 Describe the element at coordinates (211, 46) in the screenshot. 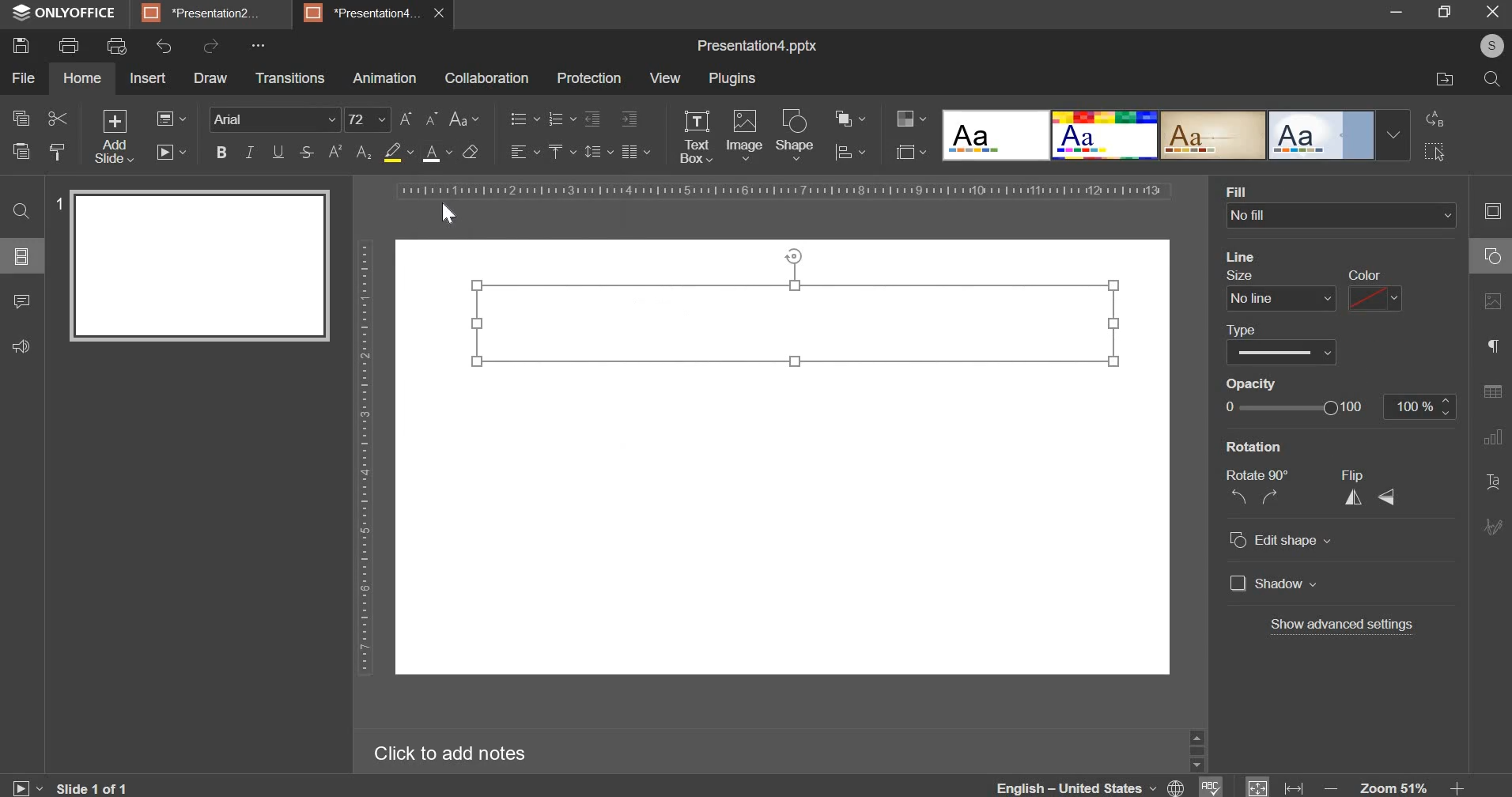

I see `redo` at that location.